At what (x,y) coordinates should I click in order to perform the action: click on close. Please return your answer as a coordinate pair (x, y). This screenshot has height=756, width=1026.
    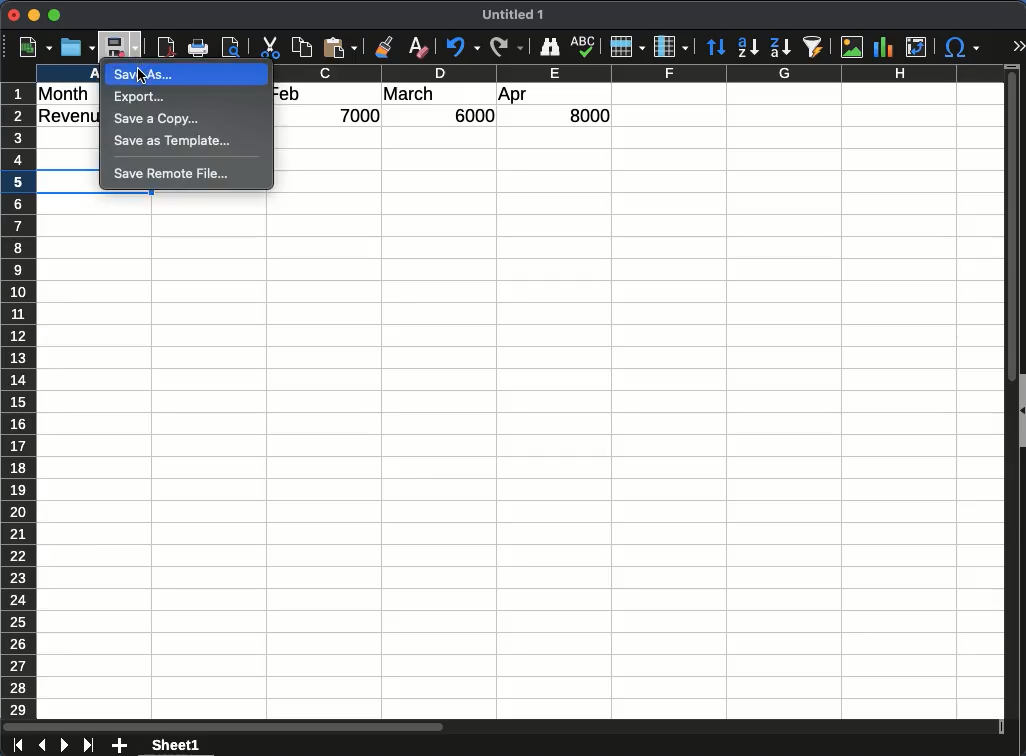
    Looking at the image, I should click on (15, 15).